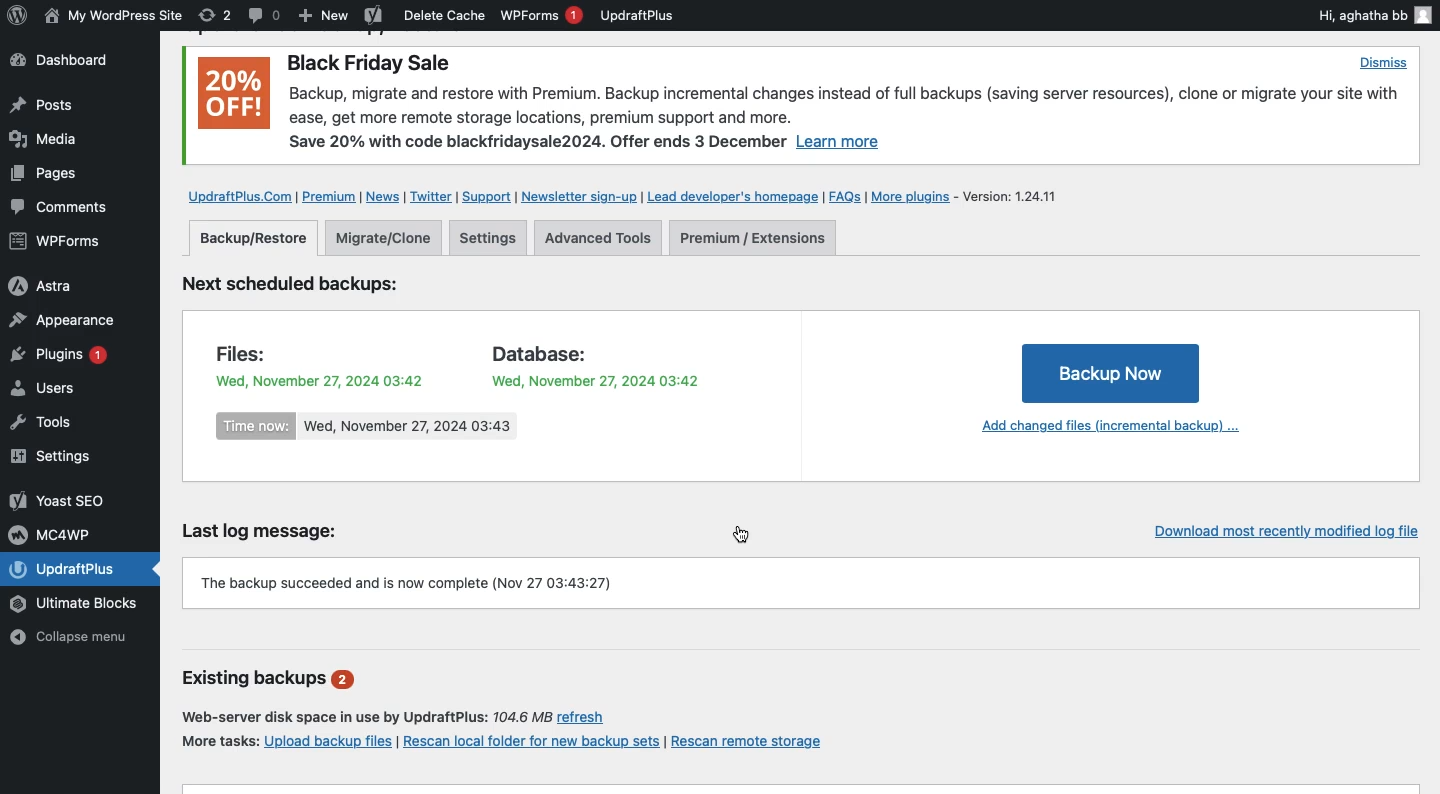  Describe the element at coordinates (41, 177) in the screenshot. I see `Posts` at that location.